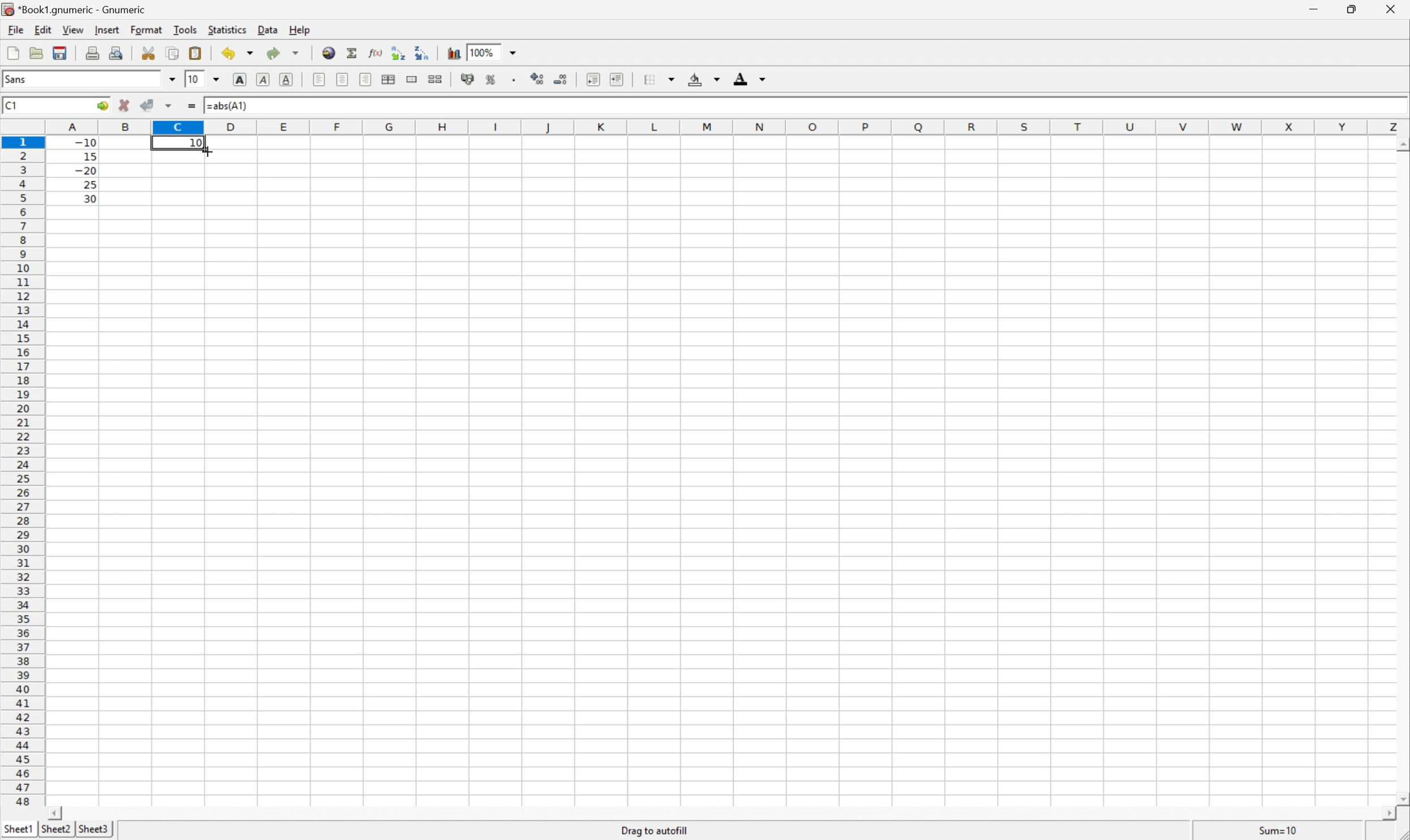 The height and width of the screenshot is (840, 1410). I want to click on Copy the selection, so click(172, 53).